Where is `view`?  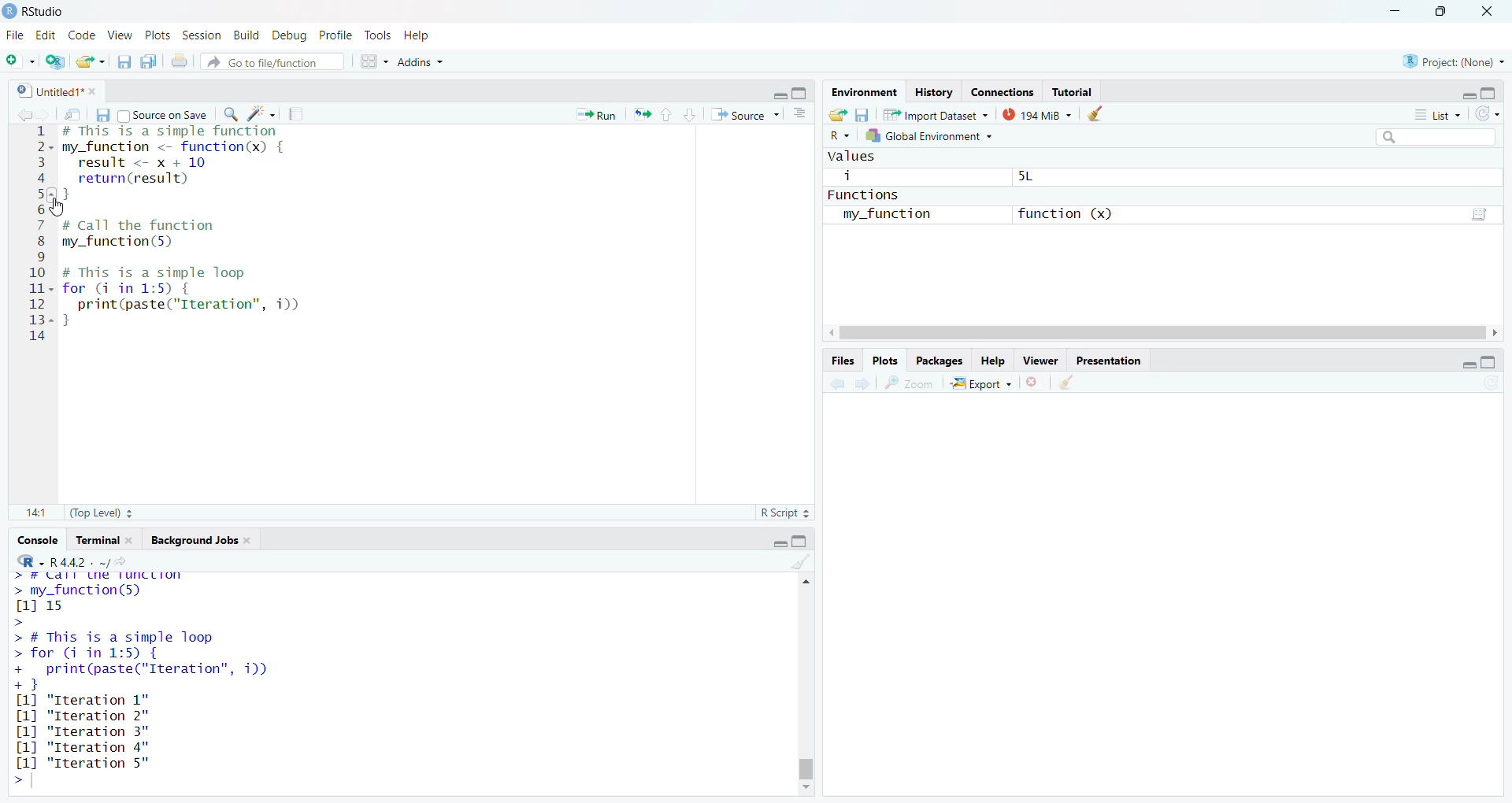
view is located at coordinates (120, 35).